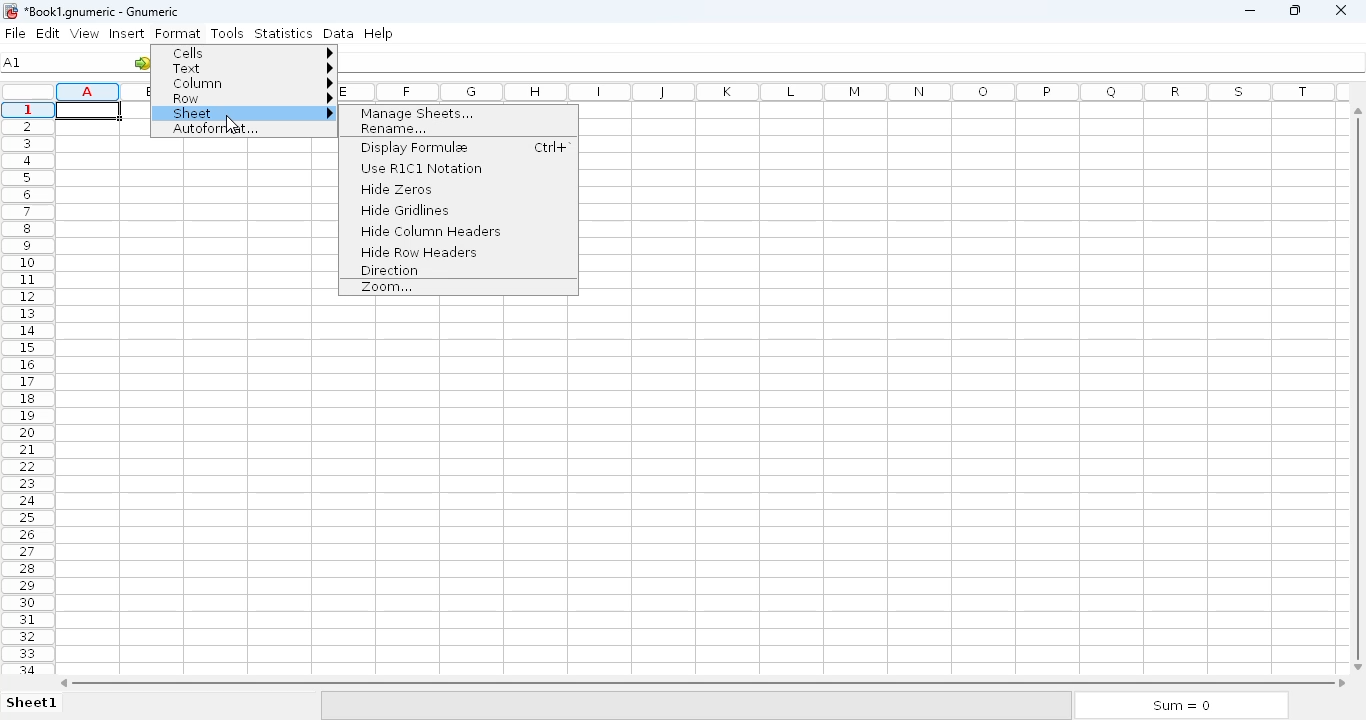  What do you see at coordinates (283, 32) in the screenshot?
I see `statistics` at bounding box center [283, 32].